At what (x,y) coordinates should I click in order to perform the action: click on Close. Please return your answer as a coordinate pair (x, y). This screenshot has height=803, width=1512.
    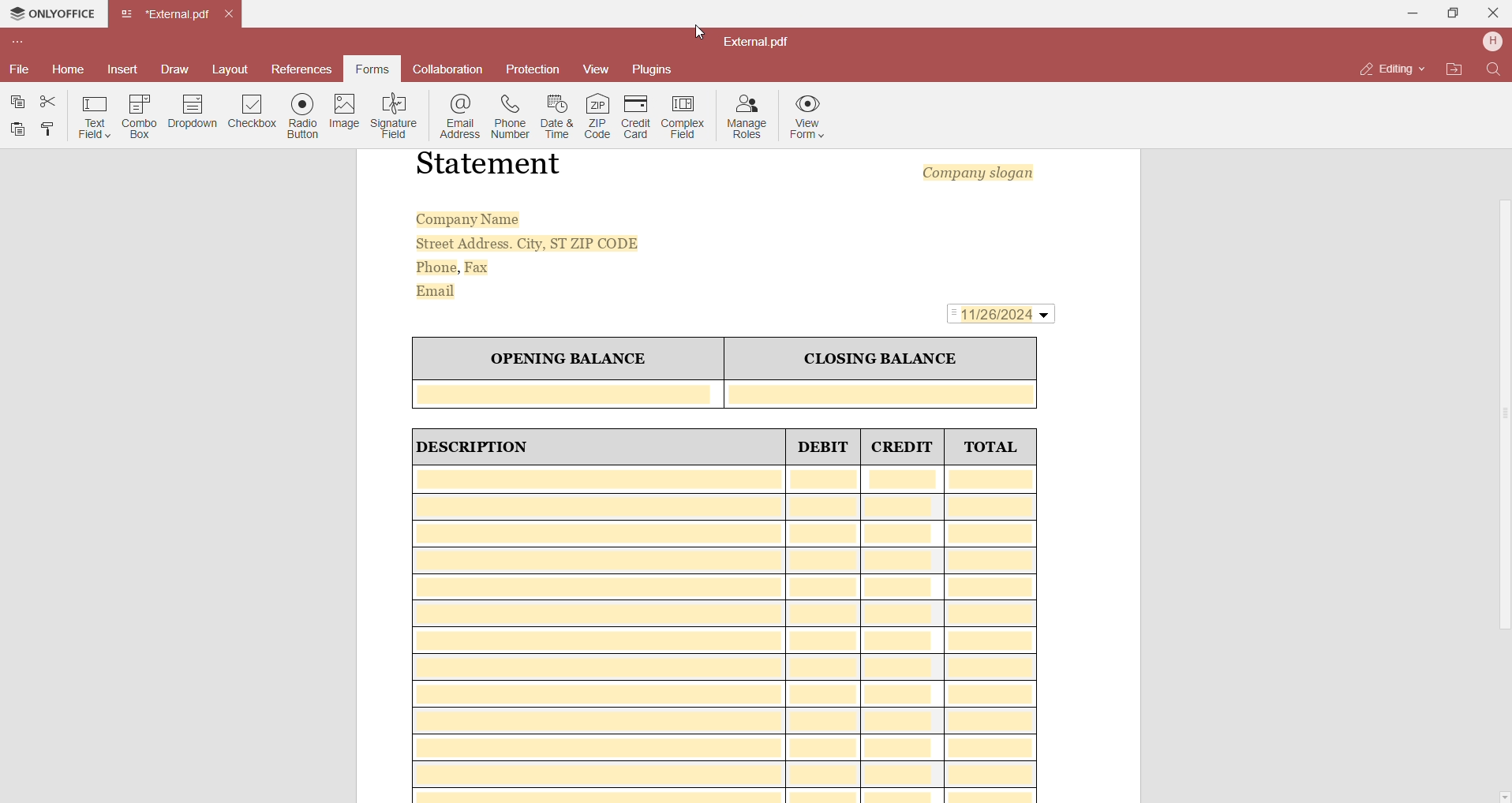
    Looking at the image, I should click on (1491, 13).